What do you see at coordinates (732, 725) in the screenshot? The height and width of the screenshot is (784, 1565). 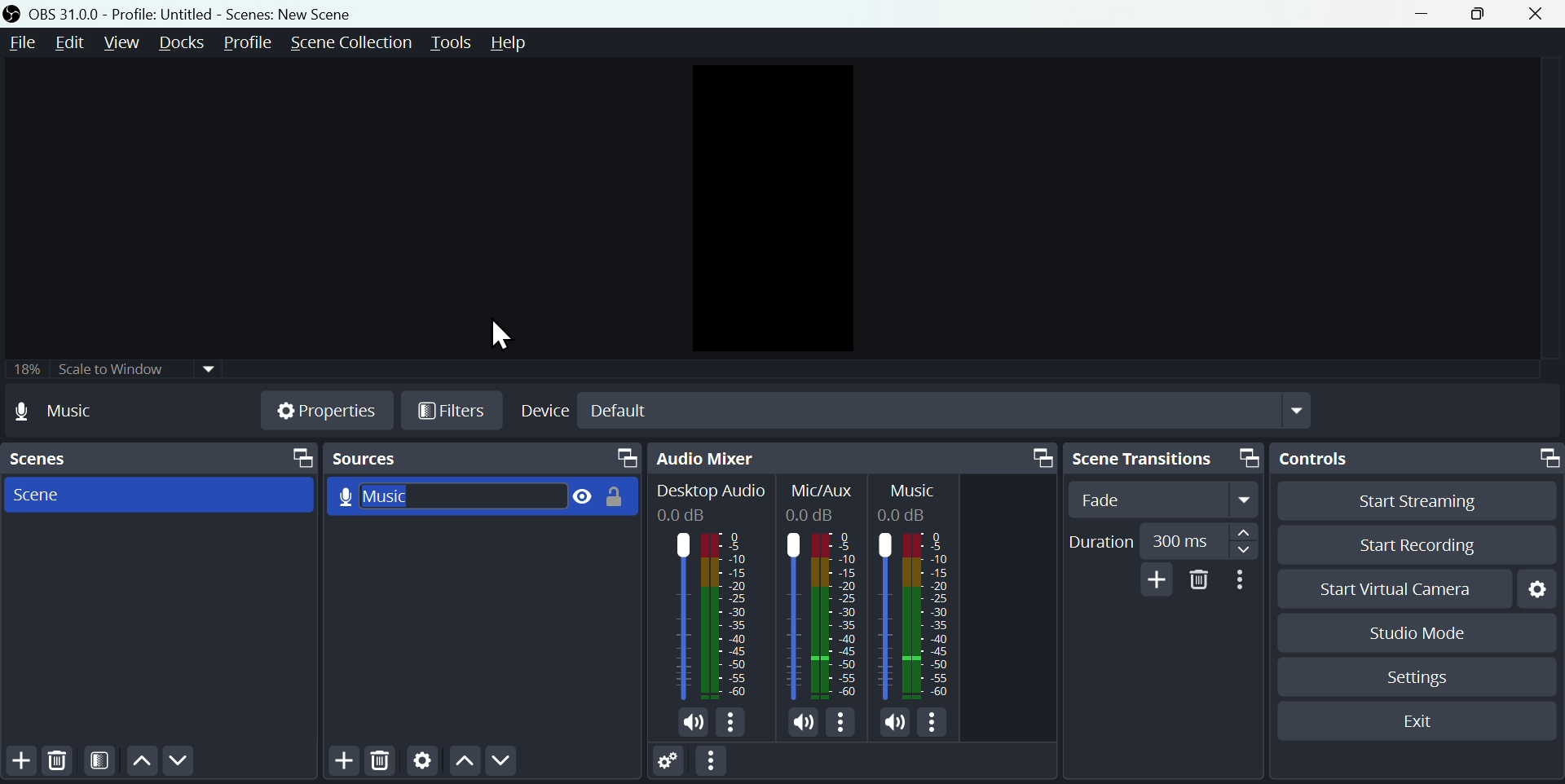 I see `Options` at bounding box center [732, 725].